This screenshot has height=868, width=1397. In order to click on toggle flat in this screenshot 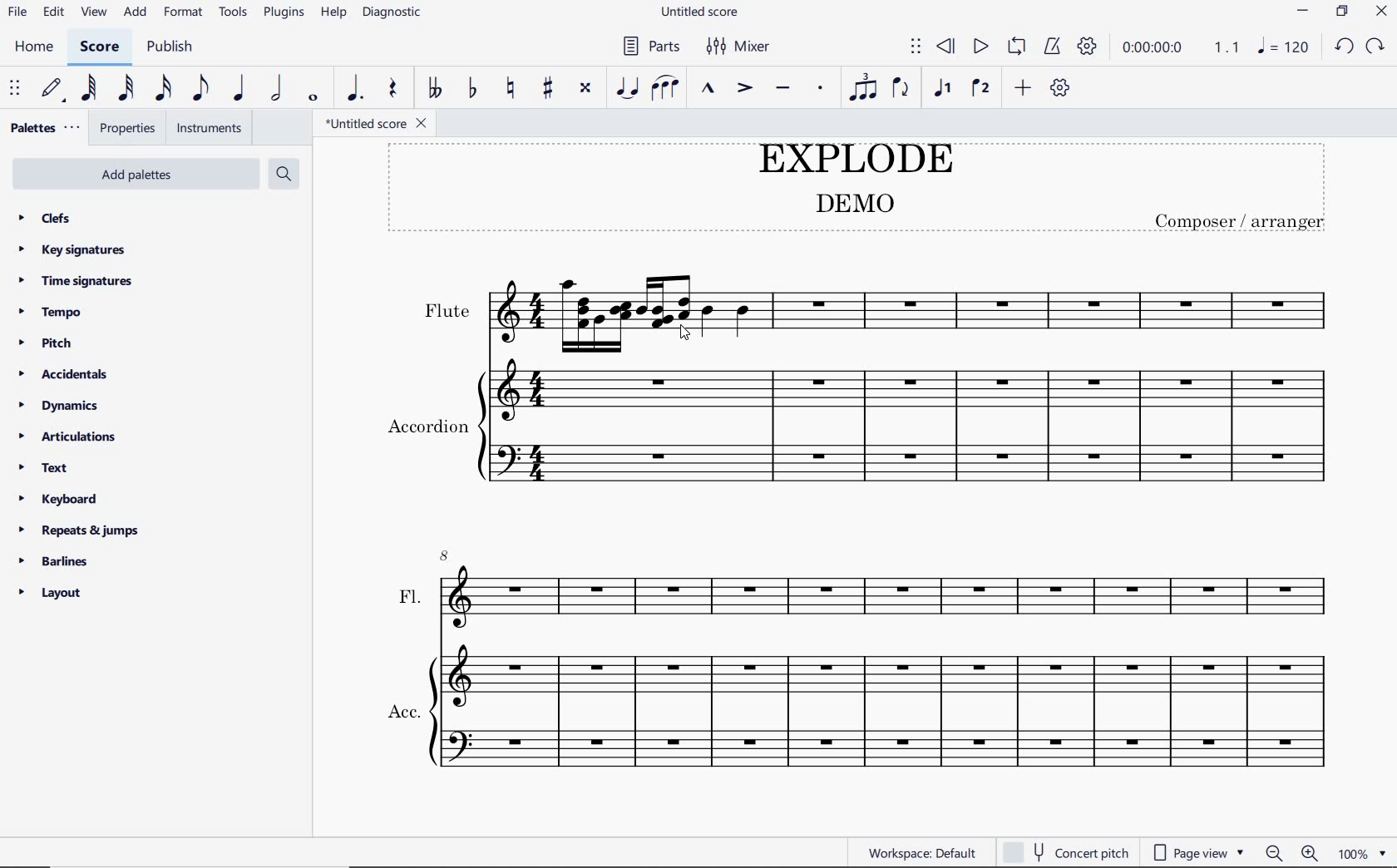, I will do `click(472, 89)`.